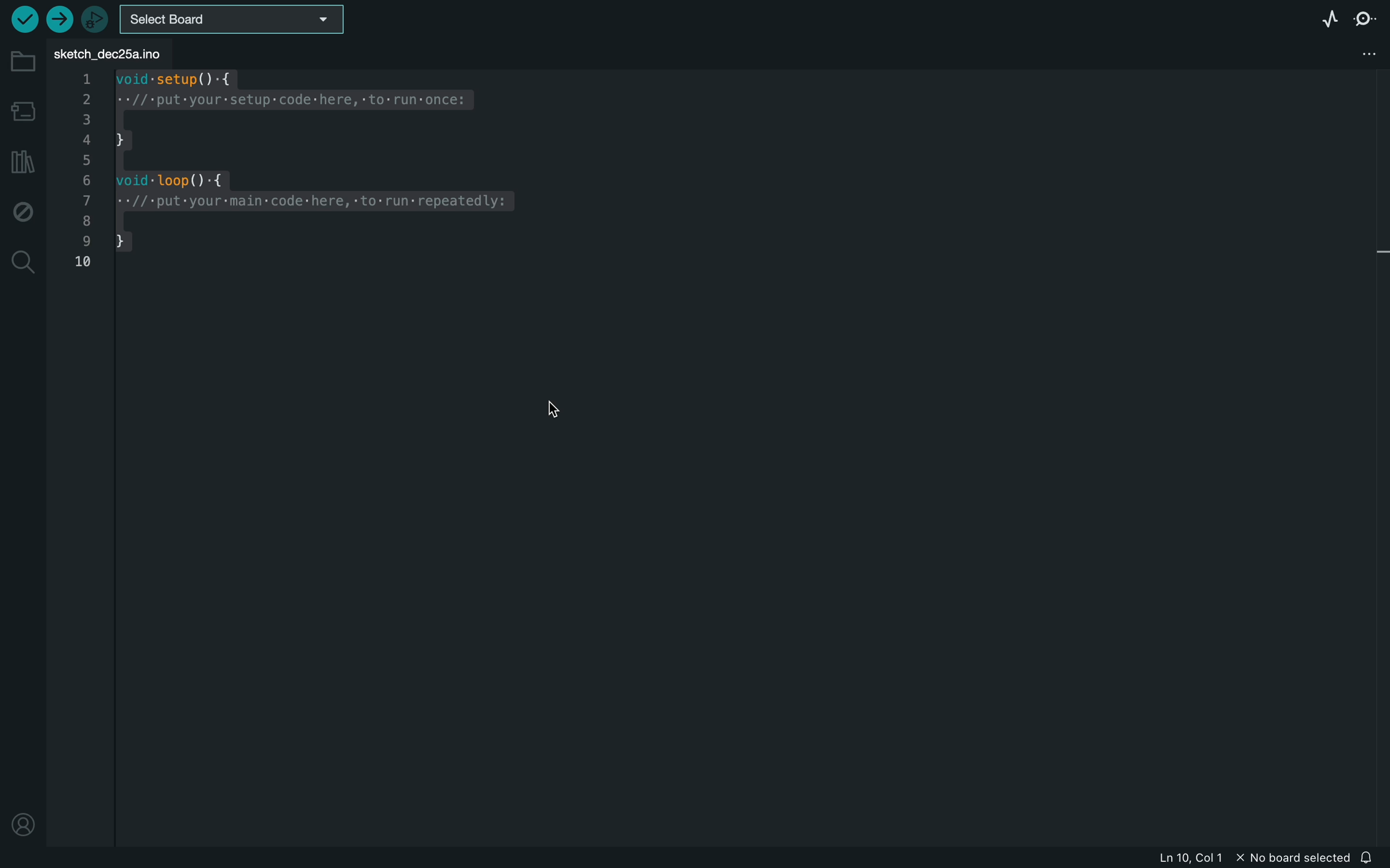 The image size is (1390, 868). What do you see at coordinates (25, 19) in the screenshot?
I see `verify` at bounding box center [25, 19].